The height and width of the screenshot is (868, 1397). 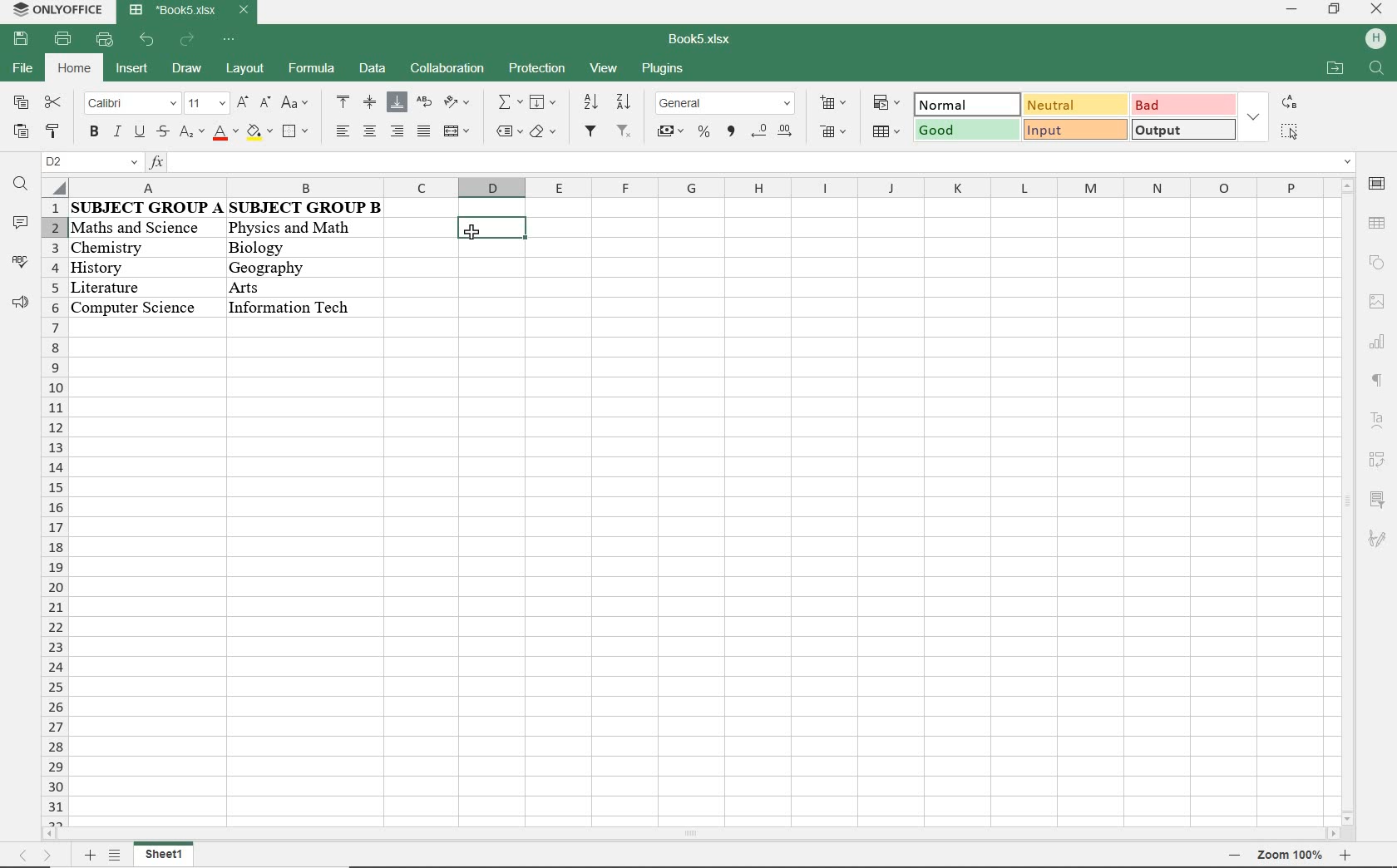 I want to click on previous, so click(x=19, y=857).